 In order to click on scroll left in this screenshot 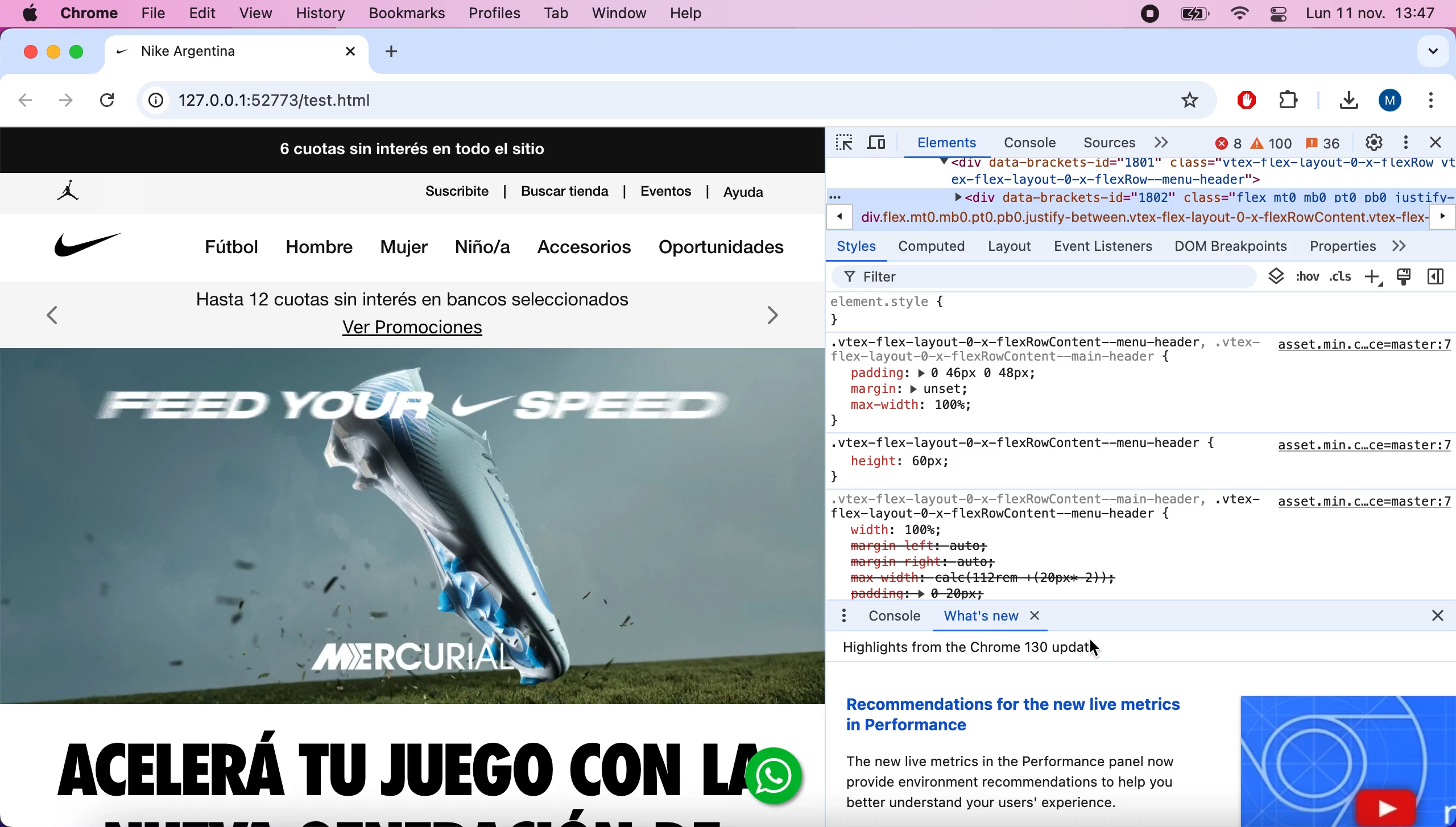, I will do `click(838, 216)`.